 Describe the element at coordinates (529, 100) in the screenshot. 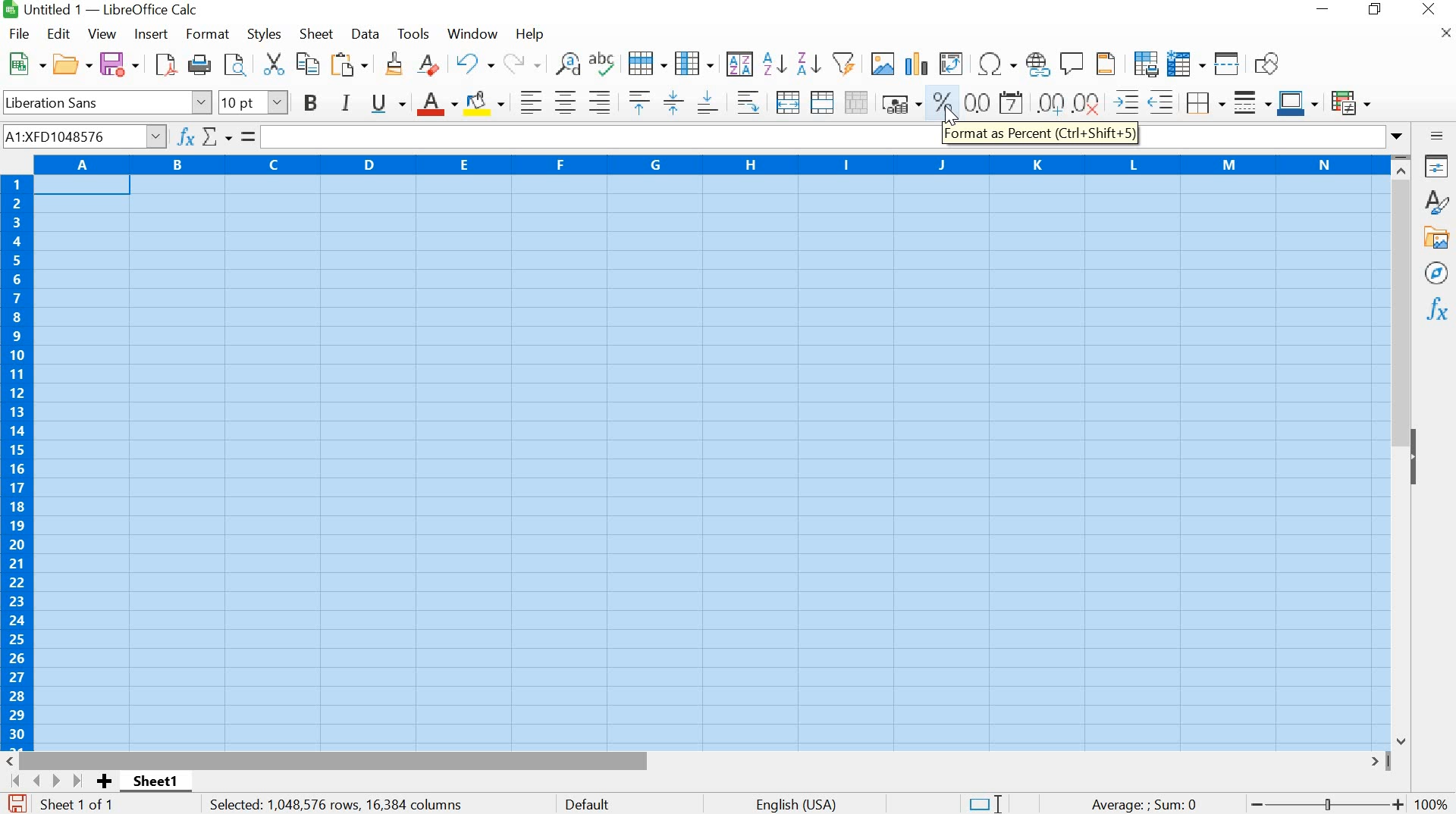

I see `Align Left` at that location.